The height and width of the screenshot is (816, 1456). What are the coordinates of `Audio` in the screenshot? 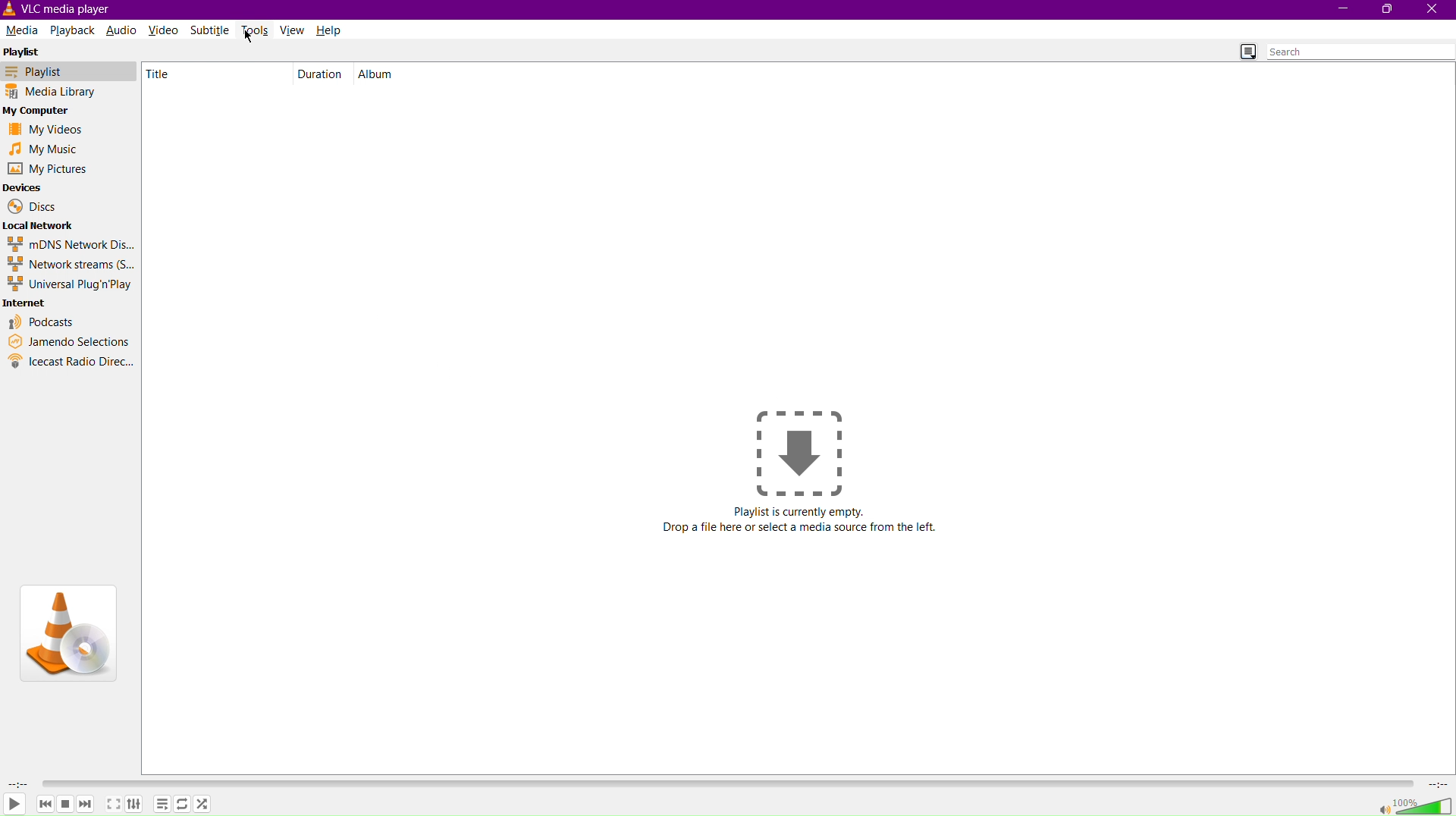 It's located at (121, 30).